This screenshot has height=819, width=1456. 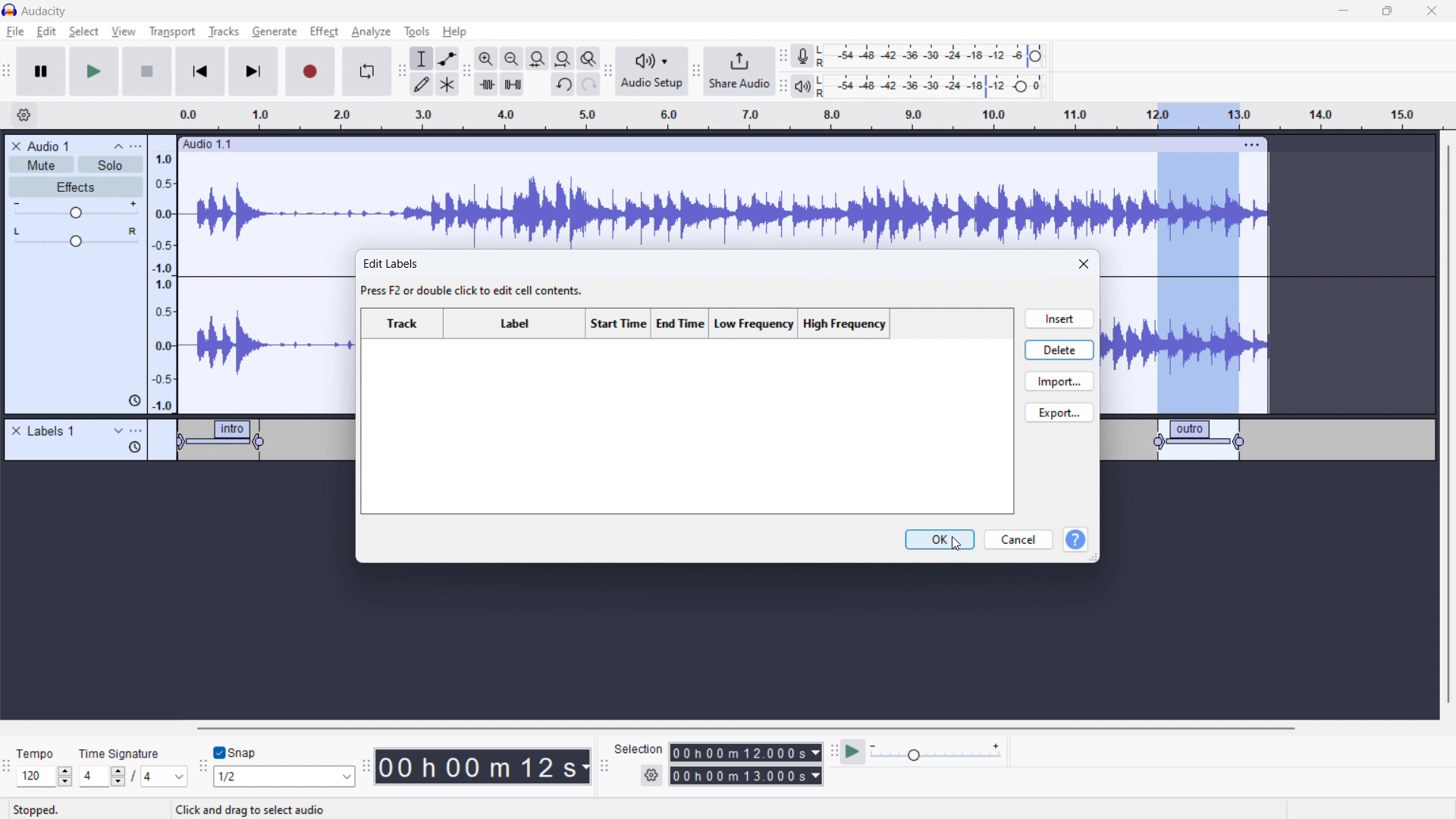 What do you see at coordinates (753, 325) in the screenshot?
I see `low frequency` at bounding box center [753, 325].